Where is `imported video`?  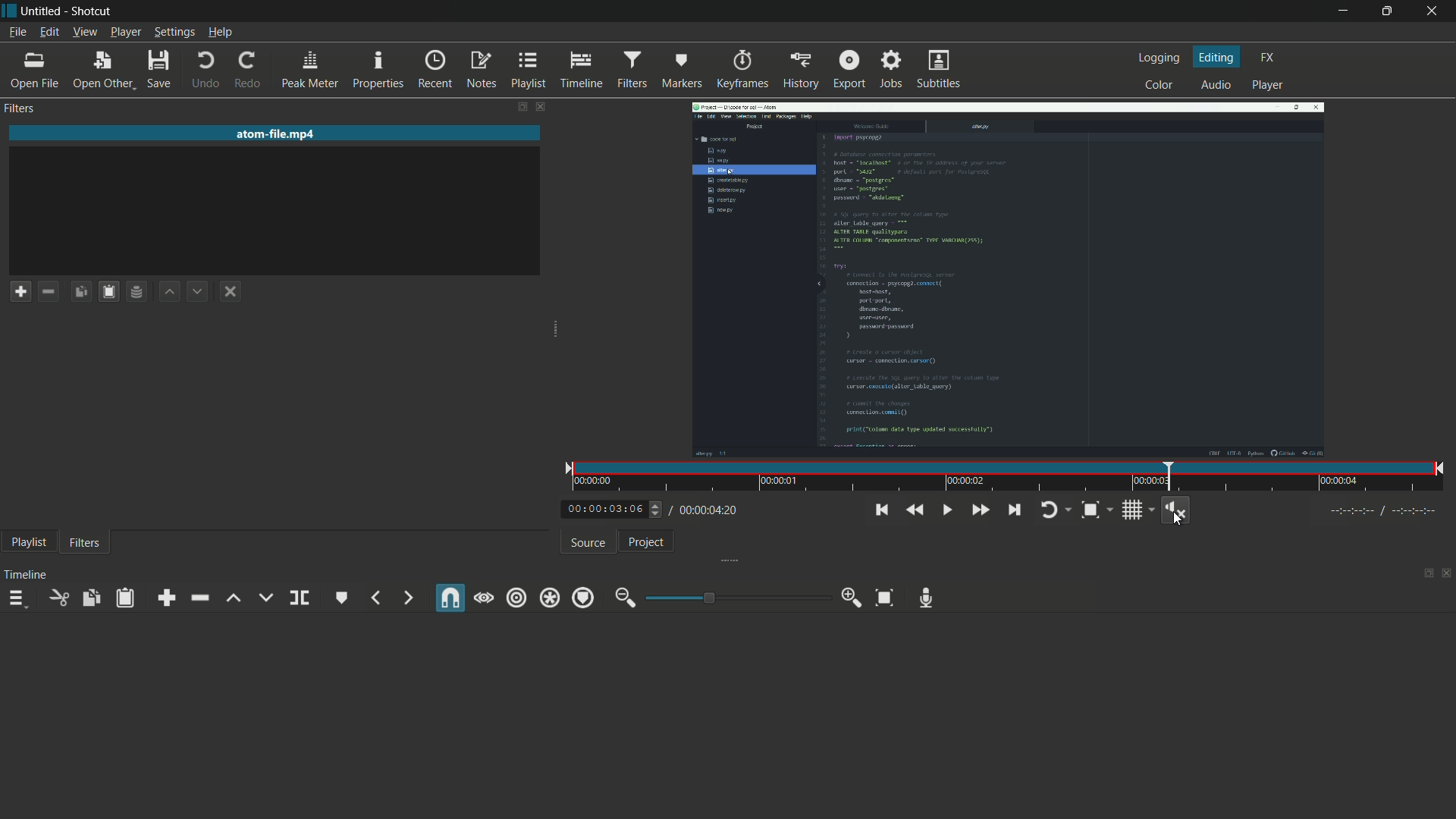
imported video is located at coordinates (1008, 281).